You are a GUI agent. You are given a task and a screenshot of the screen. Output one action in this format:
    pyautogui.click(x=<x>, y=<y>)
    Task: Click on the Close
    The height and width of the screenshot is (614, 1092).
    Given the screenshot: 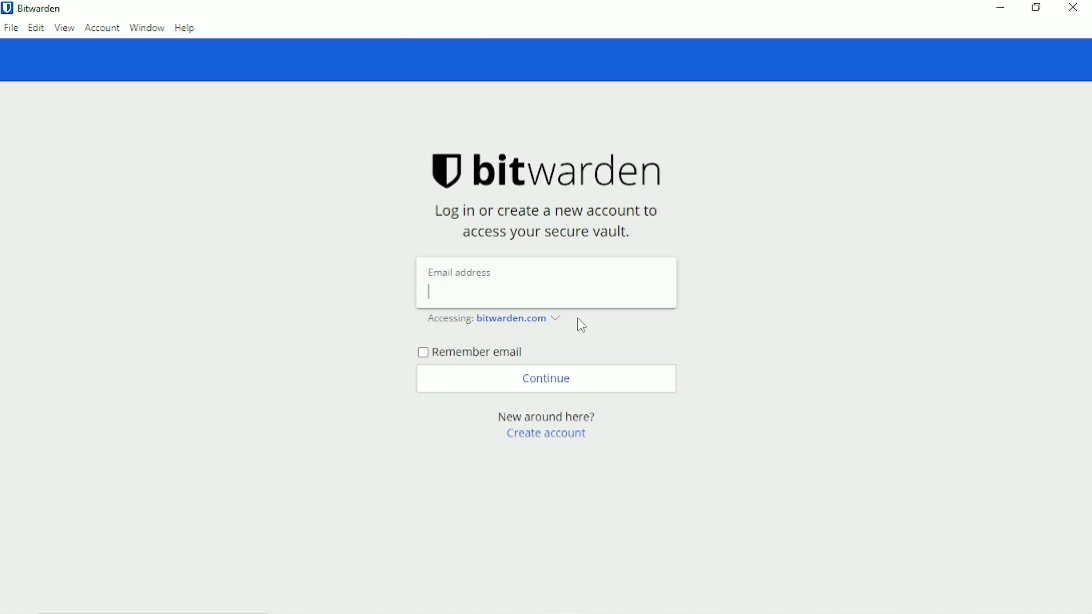 What is the action you would take?
    pyautogui.click(x=1074, y=9)
    